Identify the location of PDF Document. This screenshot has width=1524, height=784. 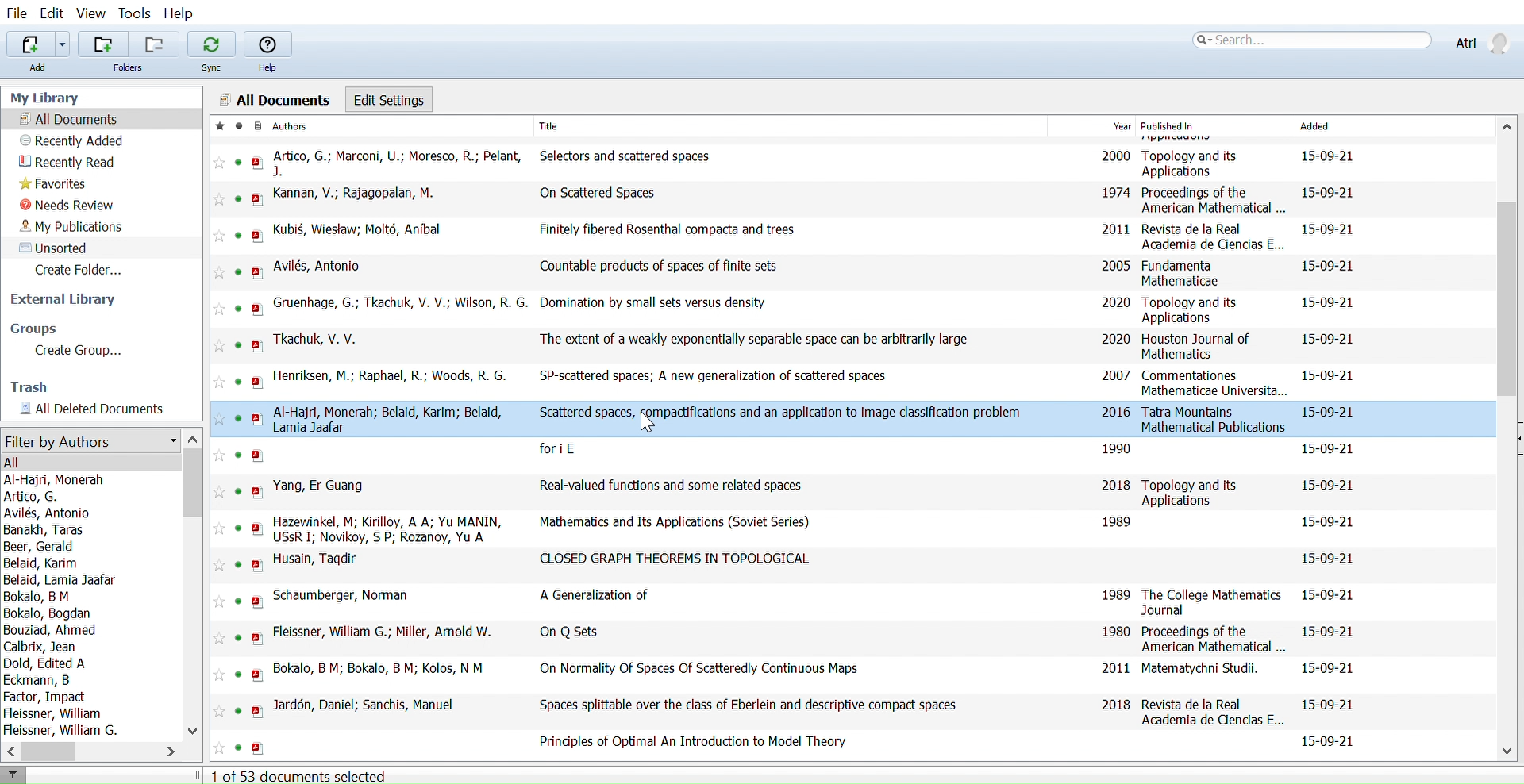
(261, 713).